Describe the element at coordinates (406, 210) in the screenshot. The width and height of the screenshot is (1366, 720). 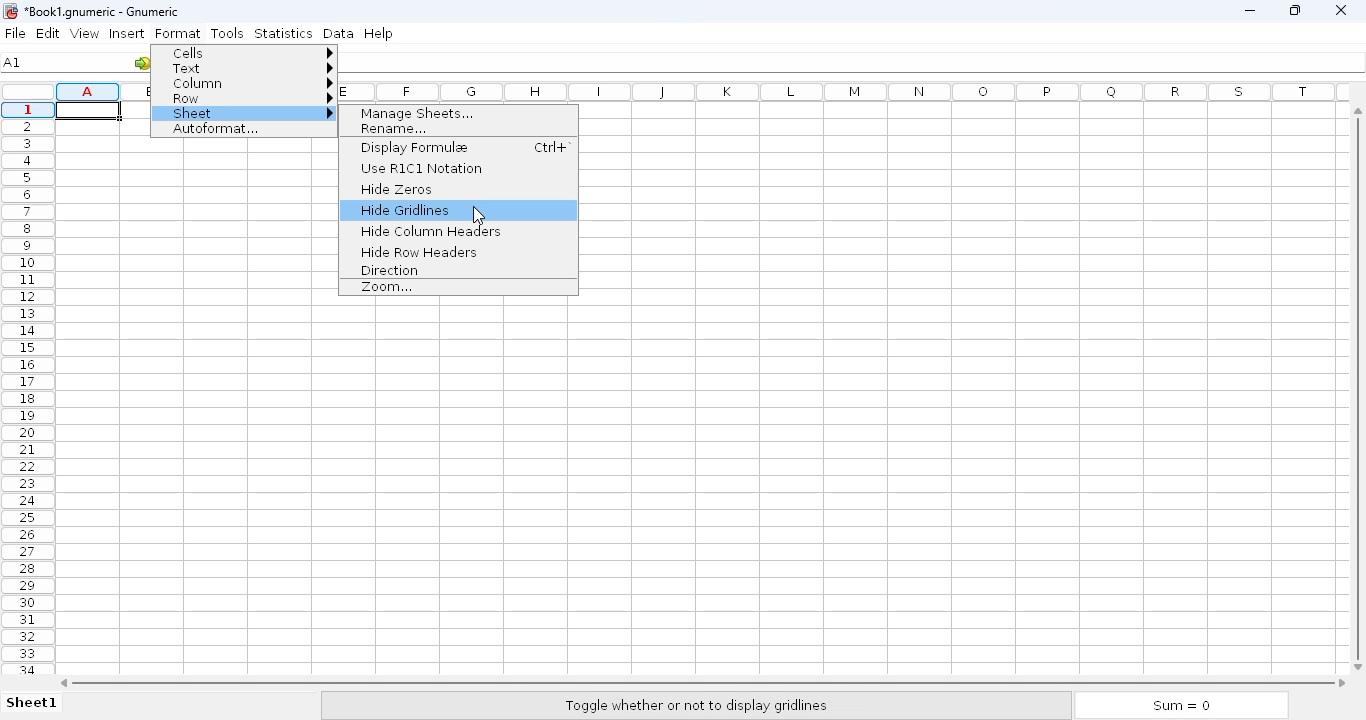
I see `hide gridlines` at that location.